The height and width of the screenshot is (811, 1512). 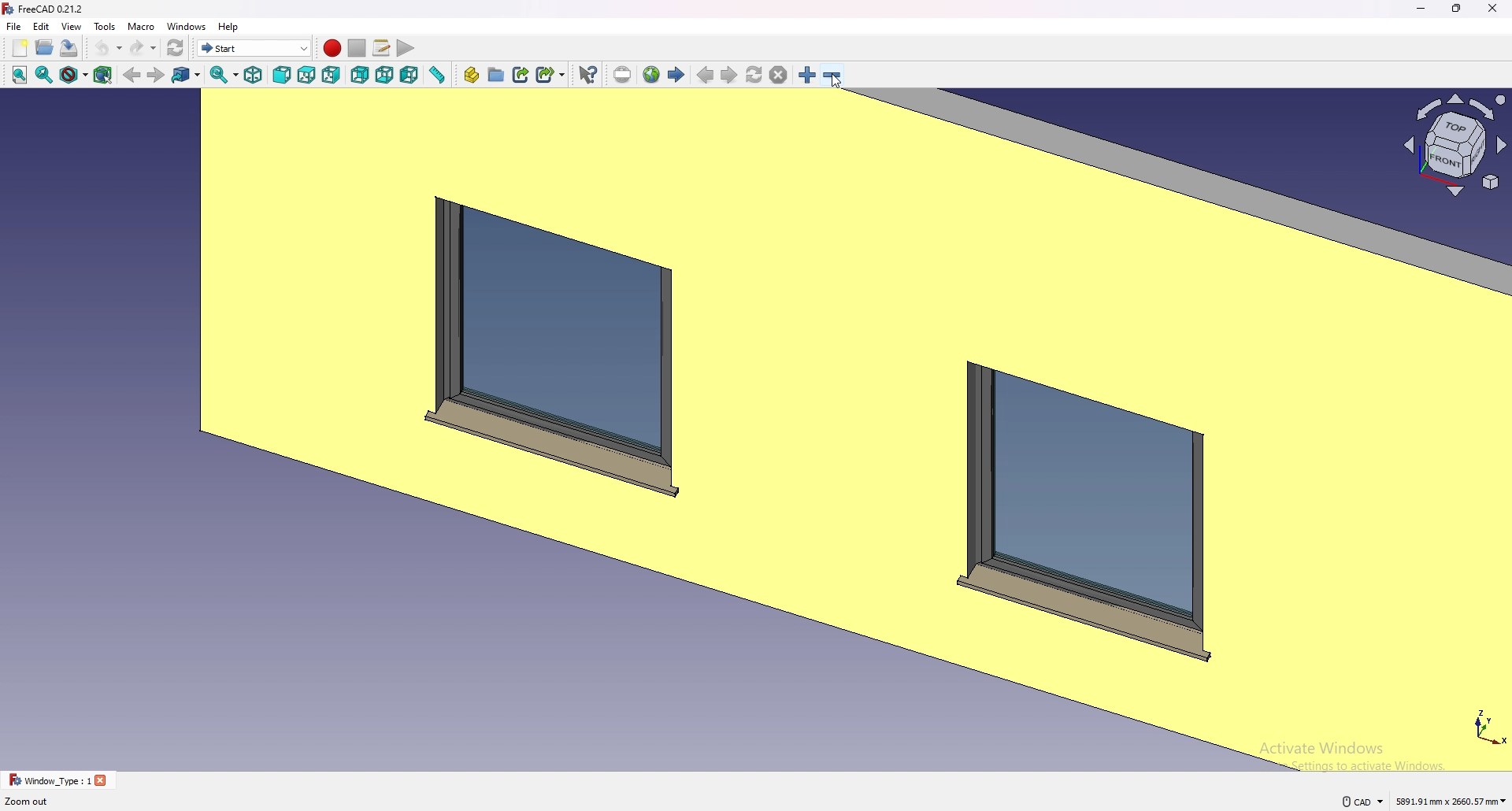 What do you see at coordinates (176, 49) in the screenshot?
I see `refresh` at bounding box center [176, 49].